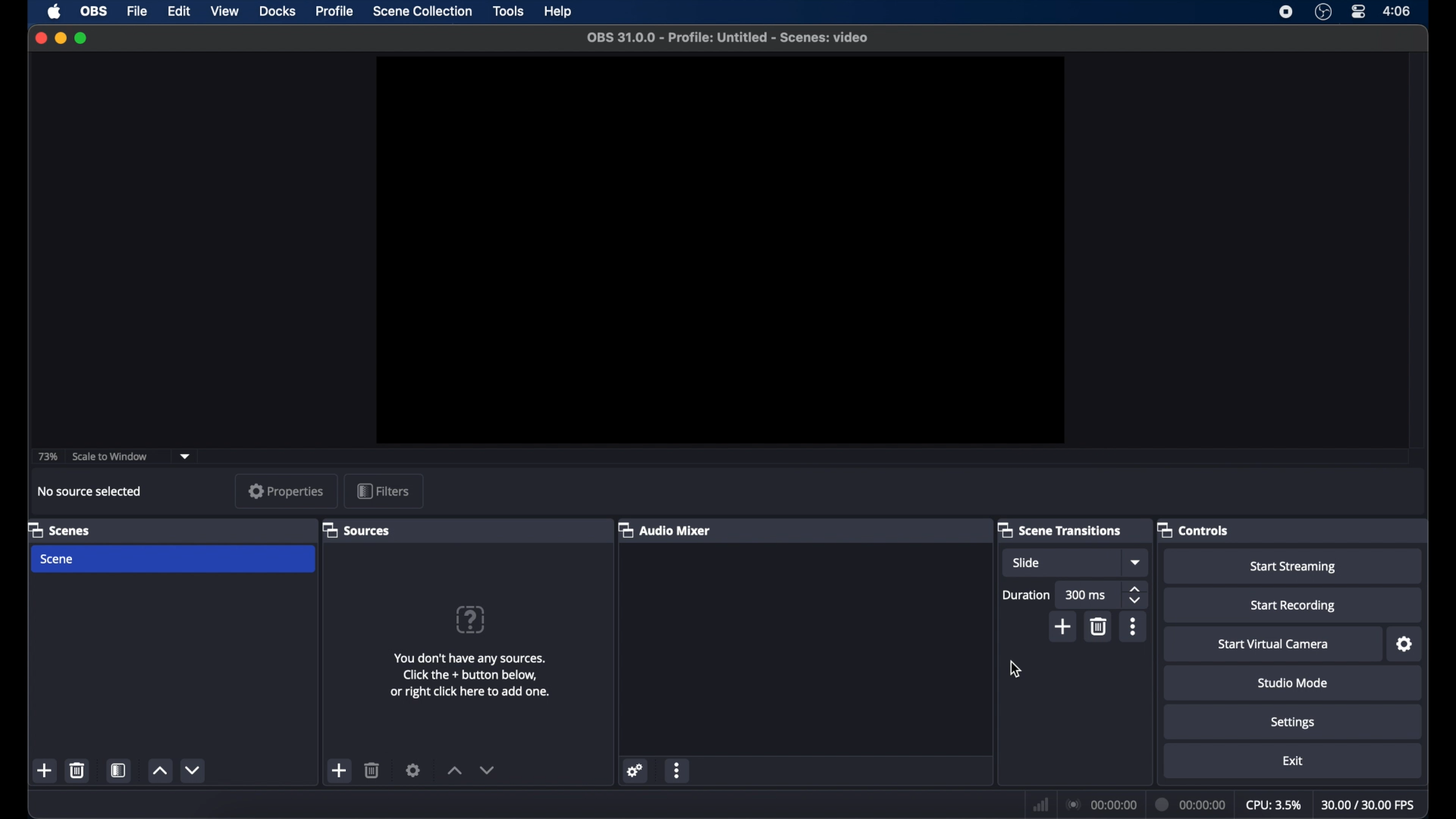 Image resolution: width=1456 pixels, height=819 pixels. What do you see at coordinates (560, 12) in the screenshot?
I see `help` at bounding box center [560, 12].